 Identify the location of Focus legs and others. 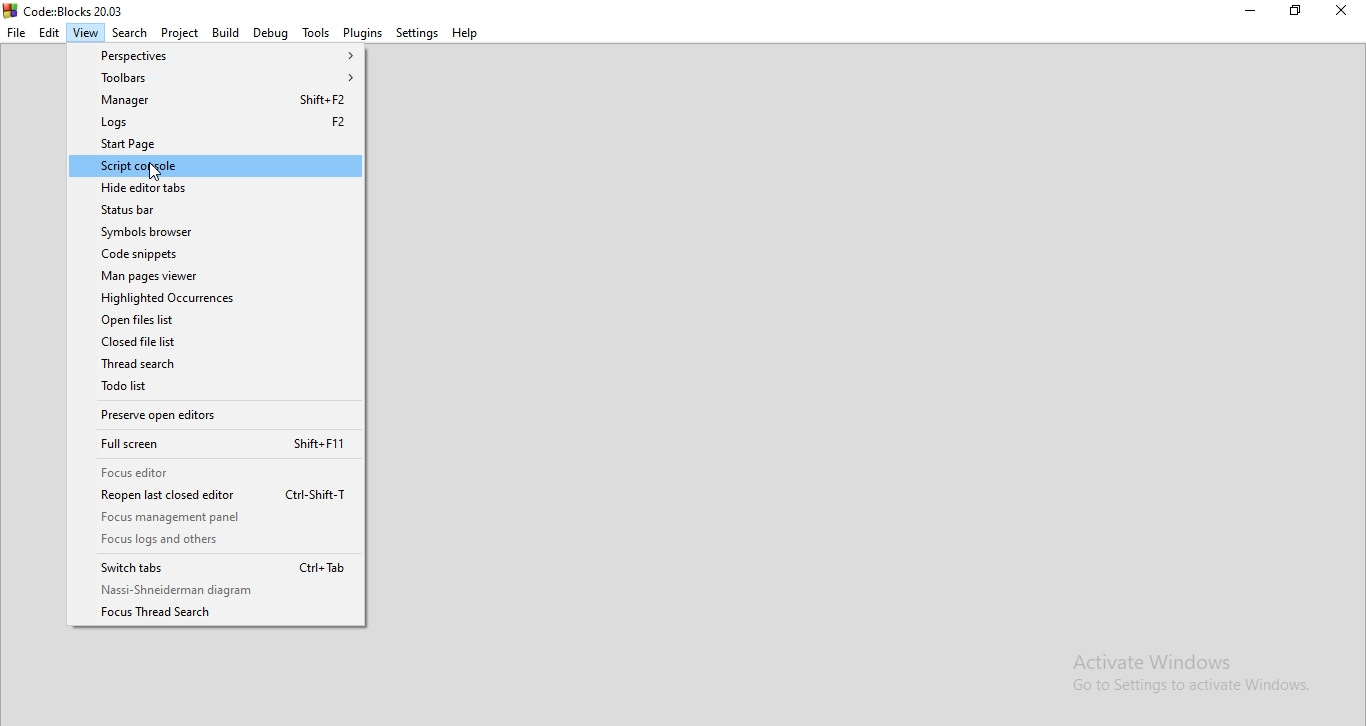
(302, 1028).